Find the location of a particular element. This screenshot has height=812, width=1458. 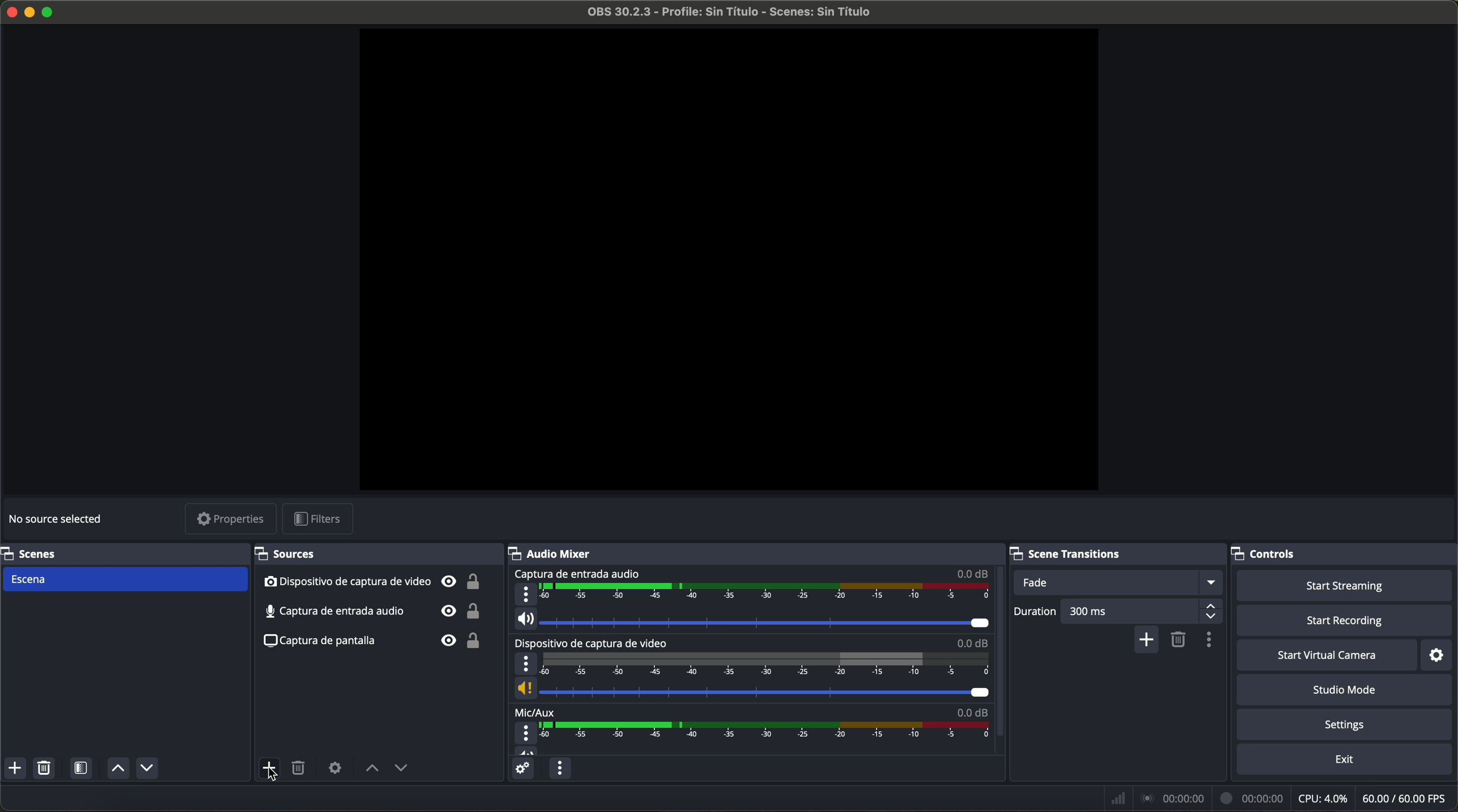

audio input capture is located at coordinates (576, 574).